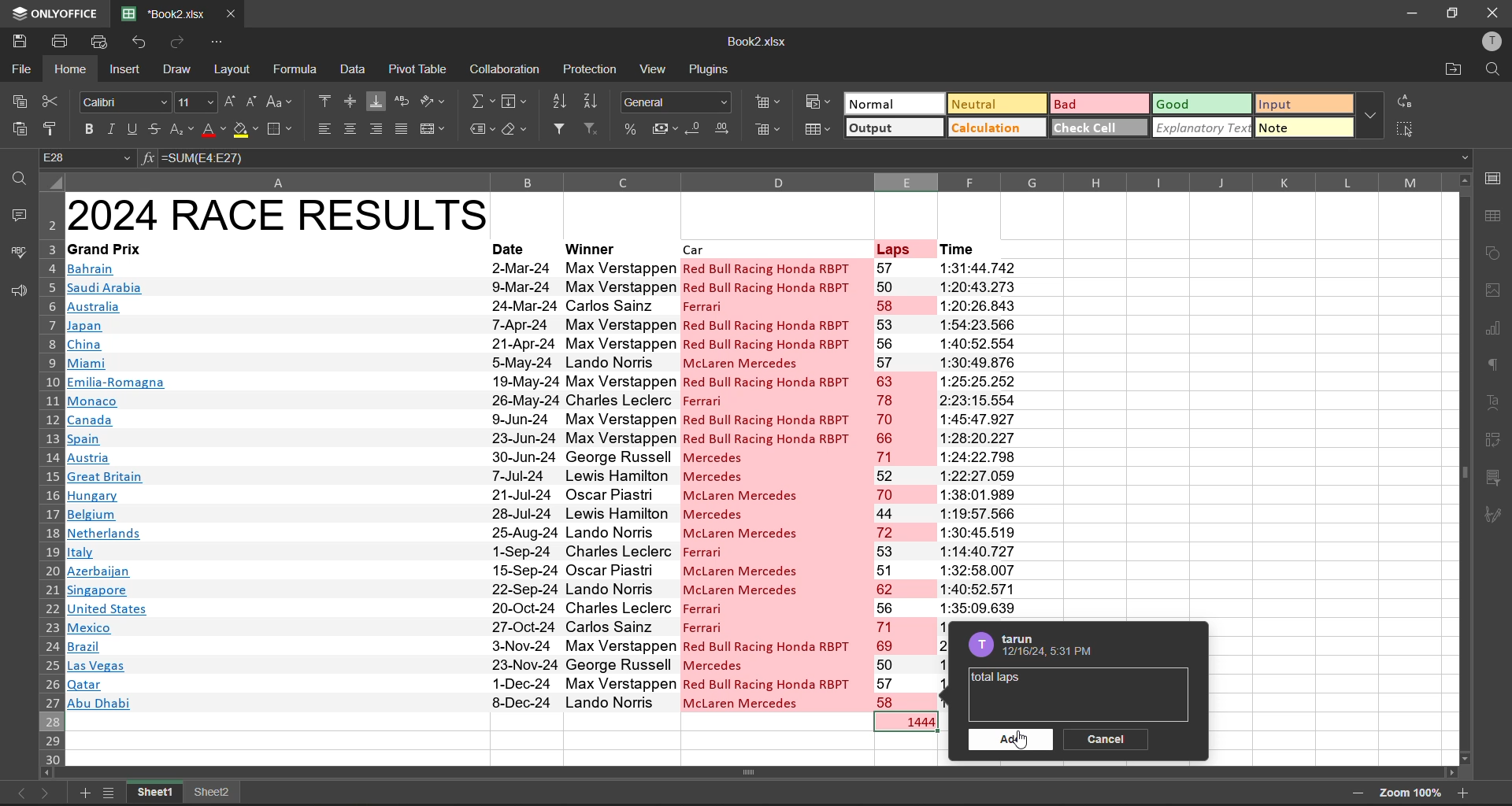 The width and height of the screenshot is (1512, 806). Describe the element at coordinates (978, 645) in the screenshot. I see `avatar` at that location.